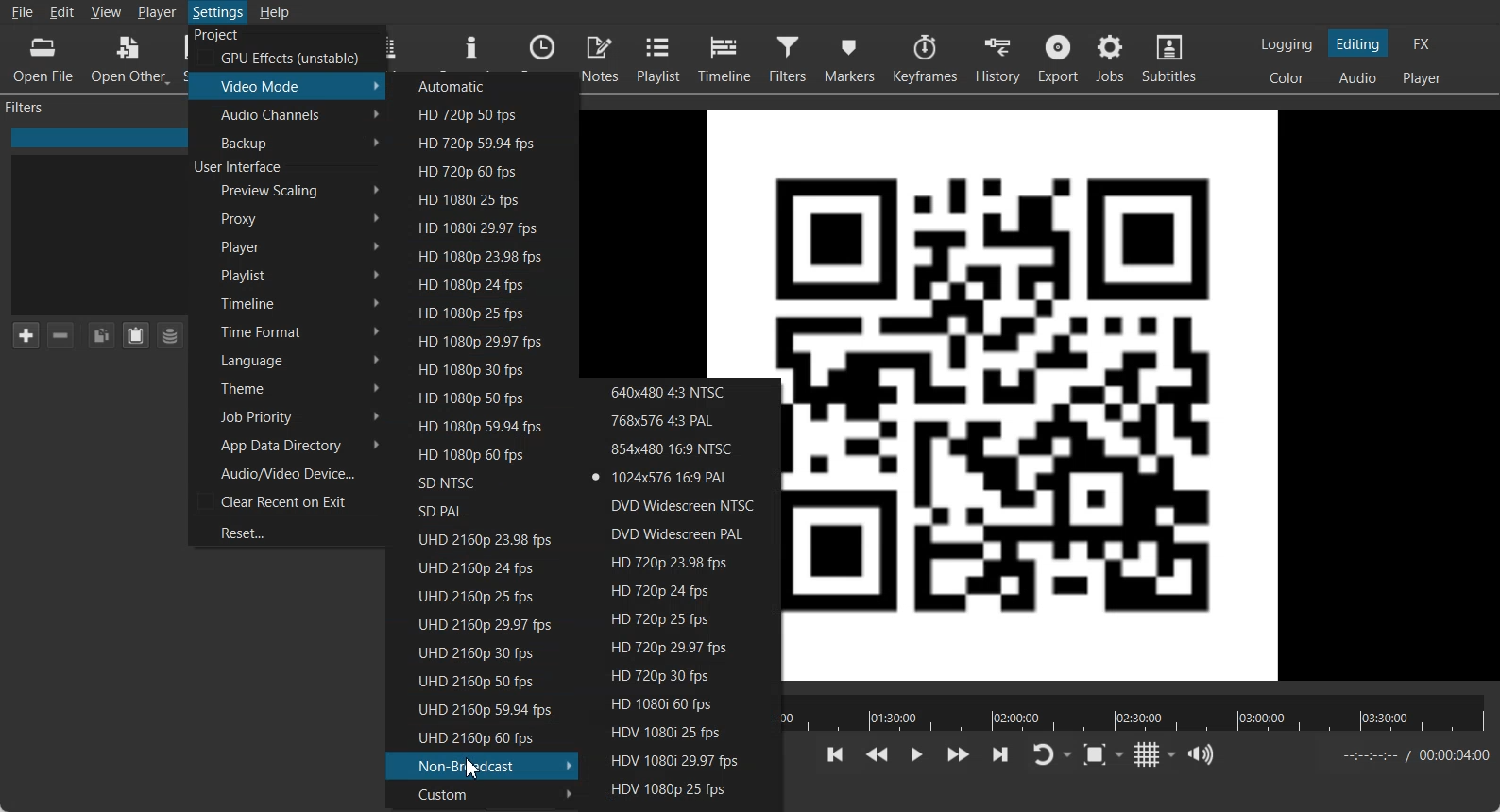  Describe the element at coordinates (680, 478) in the screenshot. I see `1024x576 16:9 PAL` at that location.